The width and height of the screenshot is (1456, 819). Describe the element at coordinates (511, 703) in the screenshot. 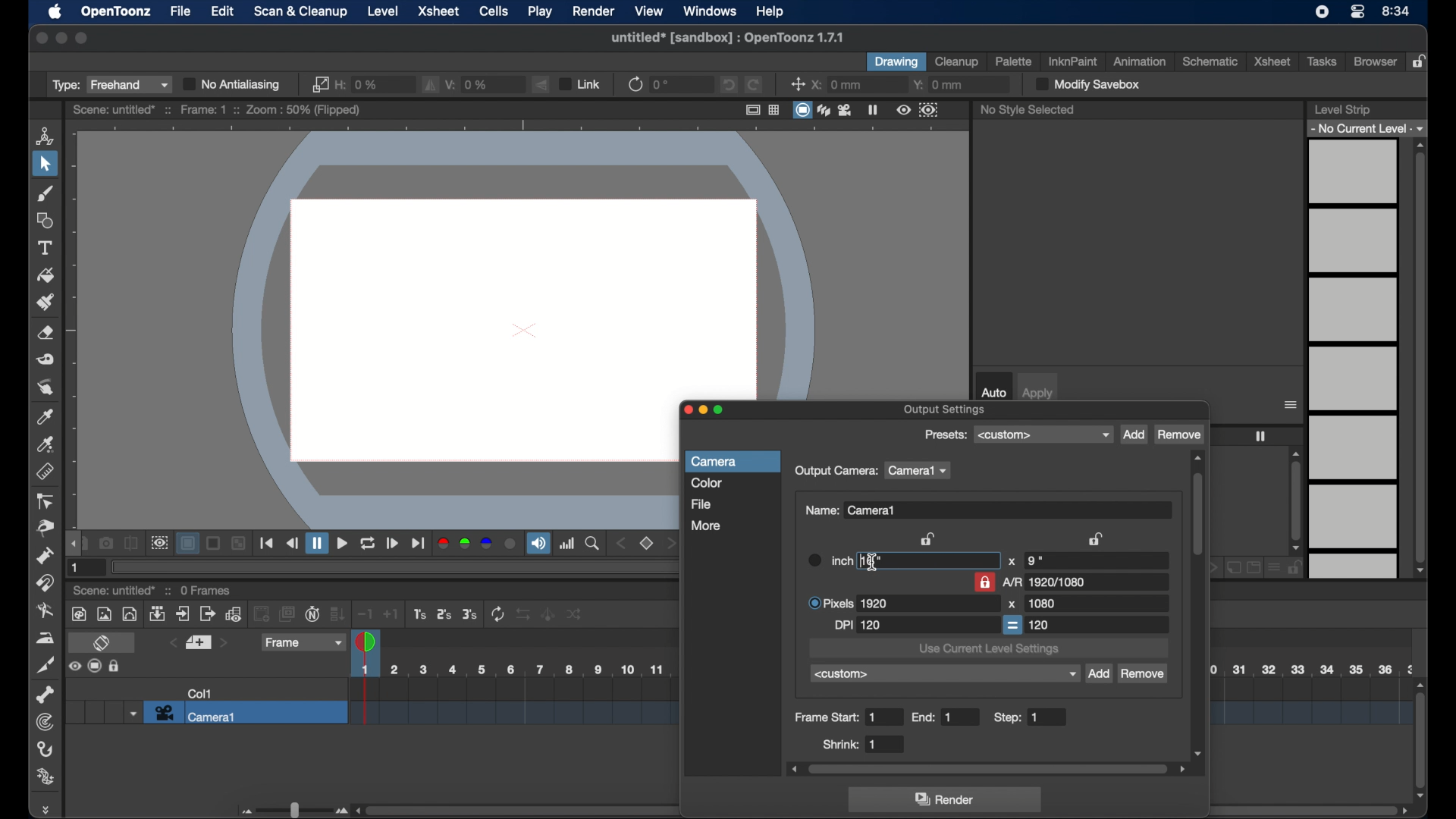

I see `scene scale` at that location.